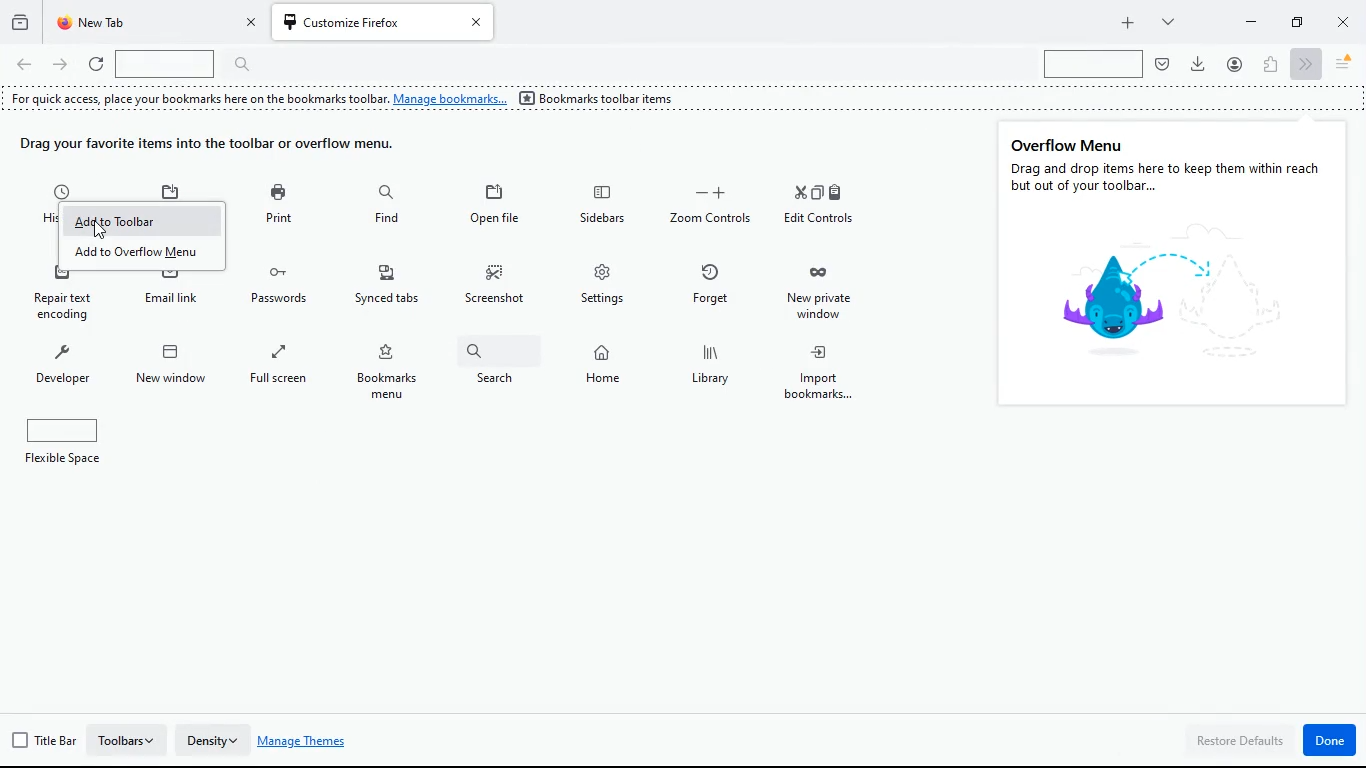 The width and height of the screenshot is (1366, 768). What do you see at coordinates (1240, 742) in the screenshot?
I see `restore defaults` at bounding box center [1240, 742].